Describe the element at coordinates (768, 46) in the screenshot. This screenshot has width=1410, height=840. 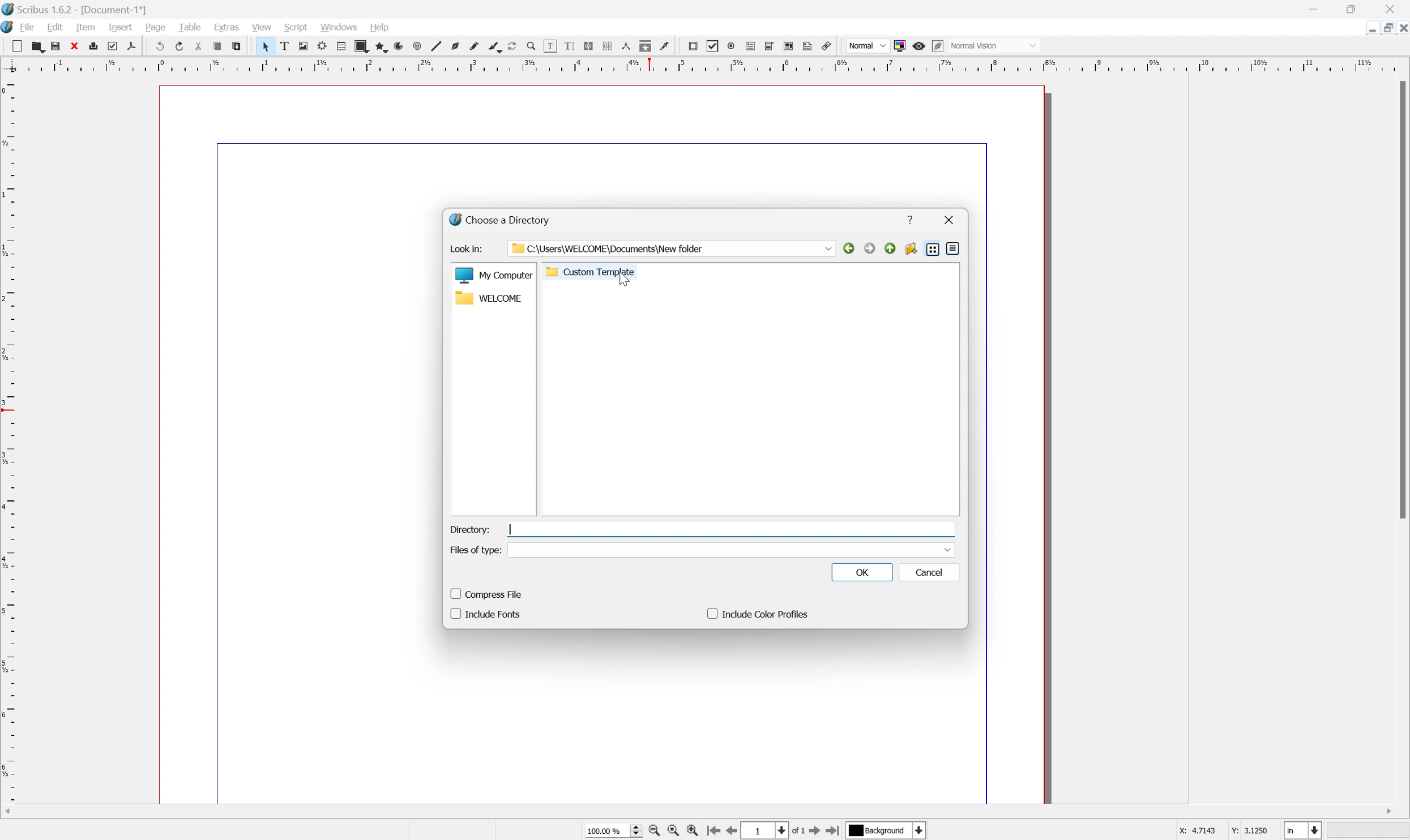
I see `PDF combo box` at that location.